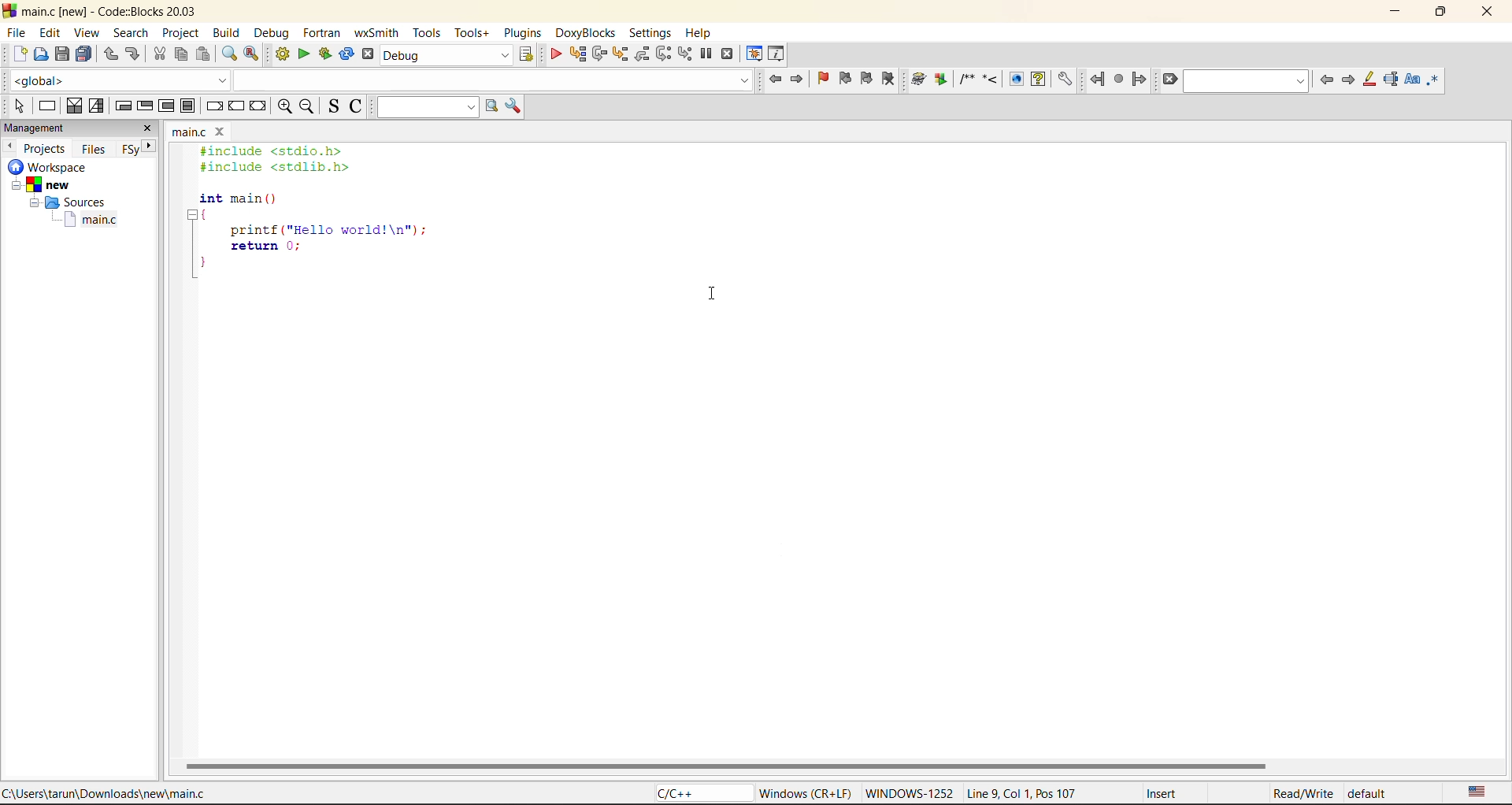  I want to click on wxsmith, so click(374, 35).